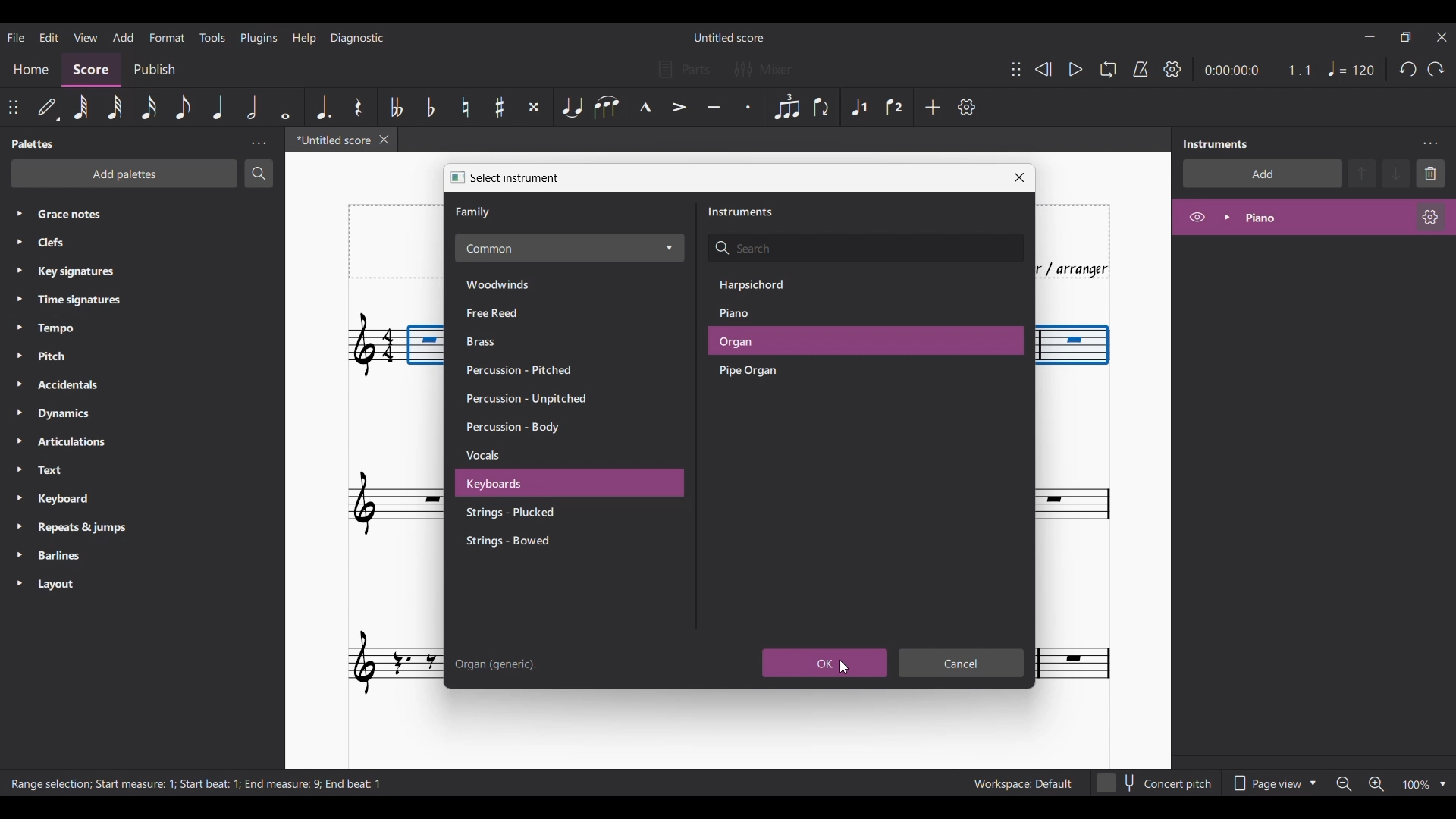  I want to click on Zoom factor, so click(1417, 785).